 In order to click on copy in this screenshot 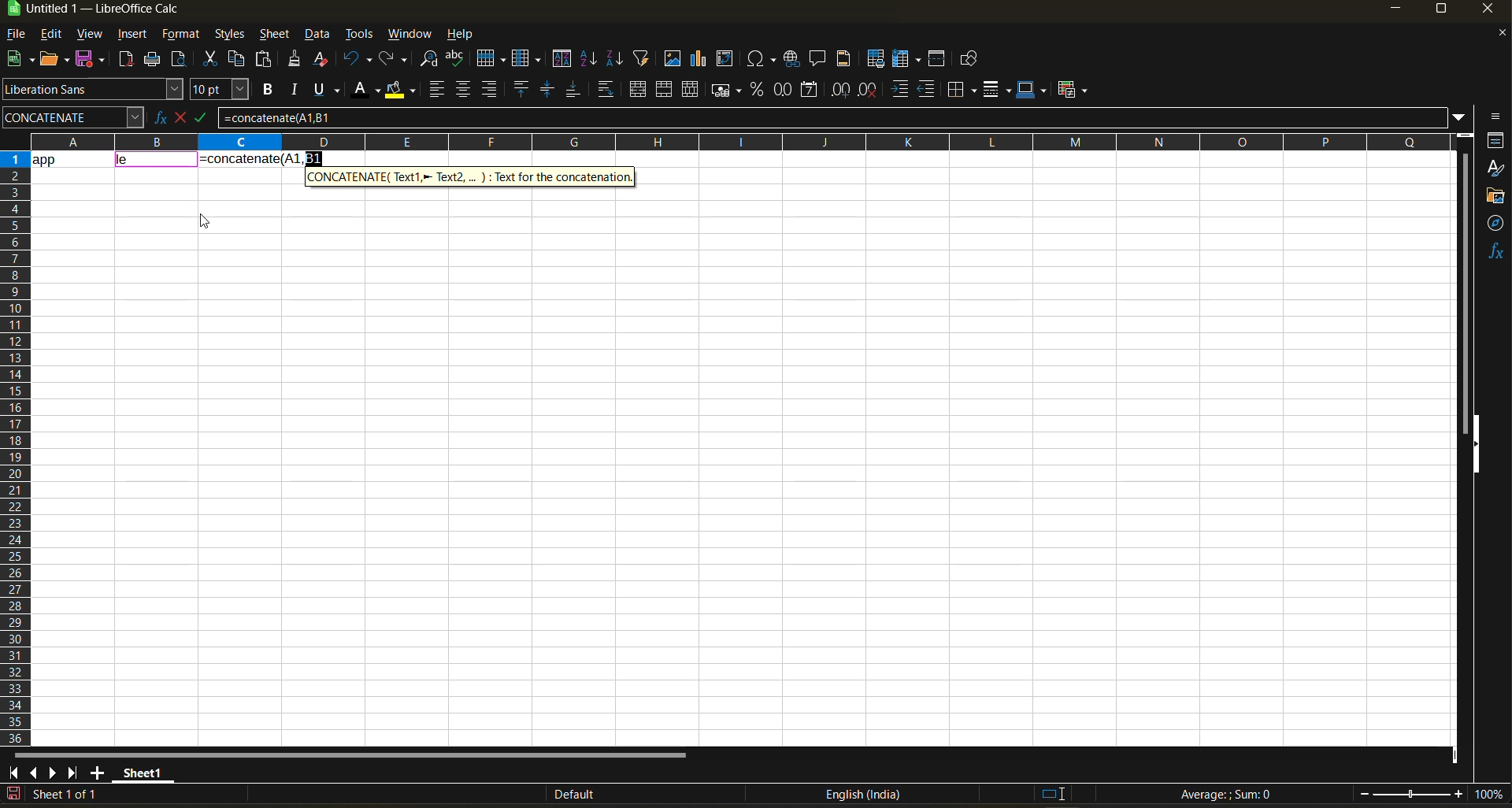, I will do `click(239, 59)`.